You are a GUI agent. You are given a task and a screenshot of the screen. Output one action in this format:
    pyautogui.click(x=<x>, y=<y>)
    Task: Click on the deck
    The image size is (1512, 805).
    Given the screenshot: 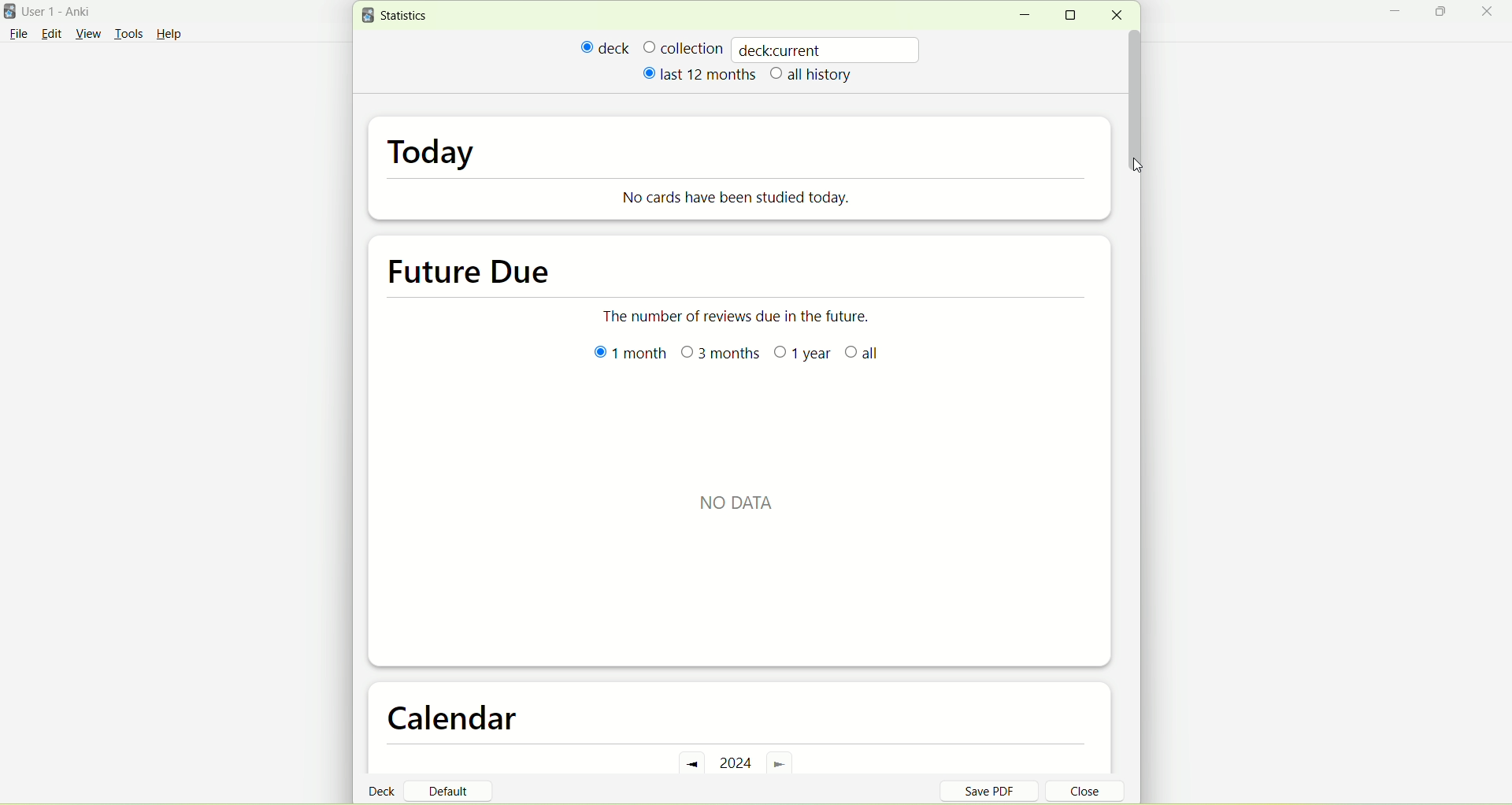 What is the action you would take?
    pyautogui.click(x=606, y=47)
    